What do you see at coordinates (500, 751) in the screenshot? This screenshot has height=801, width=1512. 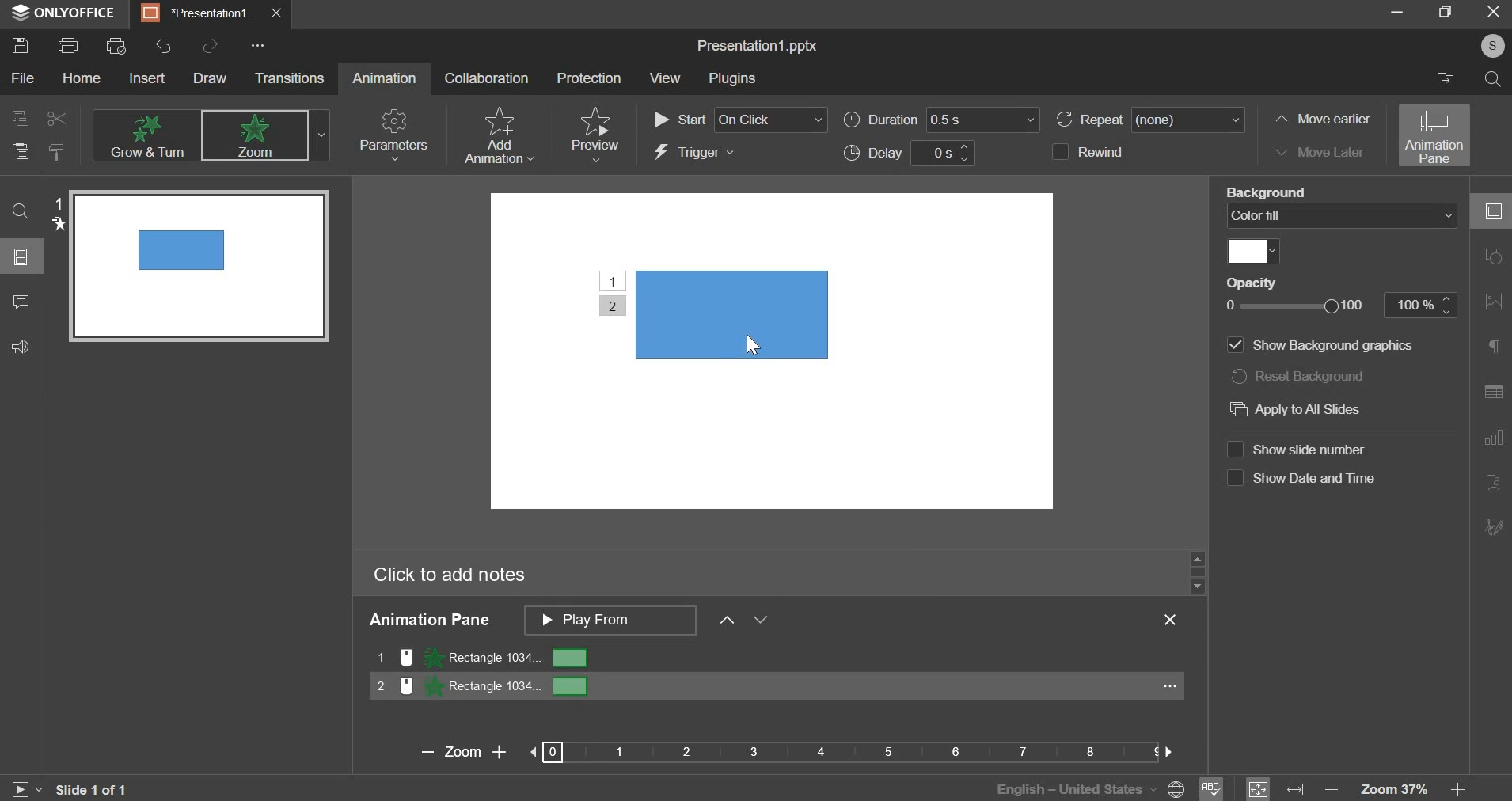 I see `Zoom in` at bounding box center [500, 751].